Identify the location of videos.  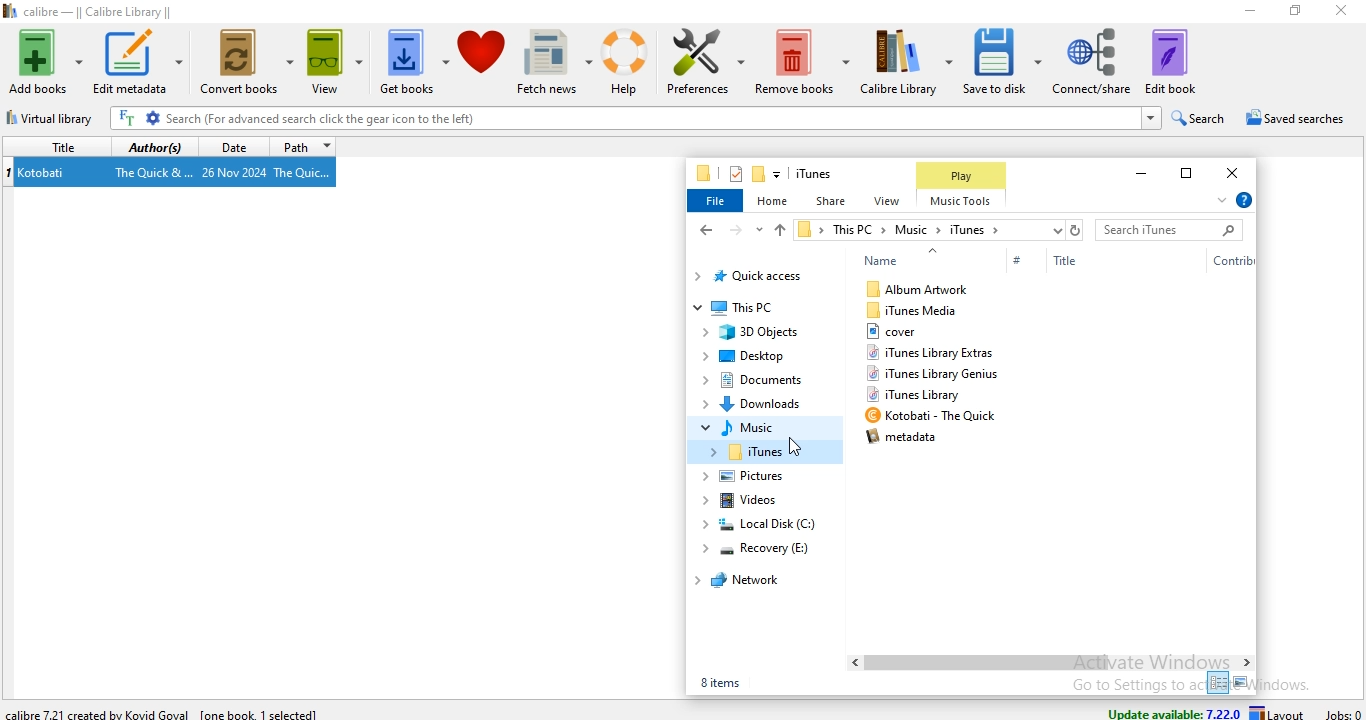
(751, 503).